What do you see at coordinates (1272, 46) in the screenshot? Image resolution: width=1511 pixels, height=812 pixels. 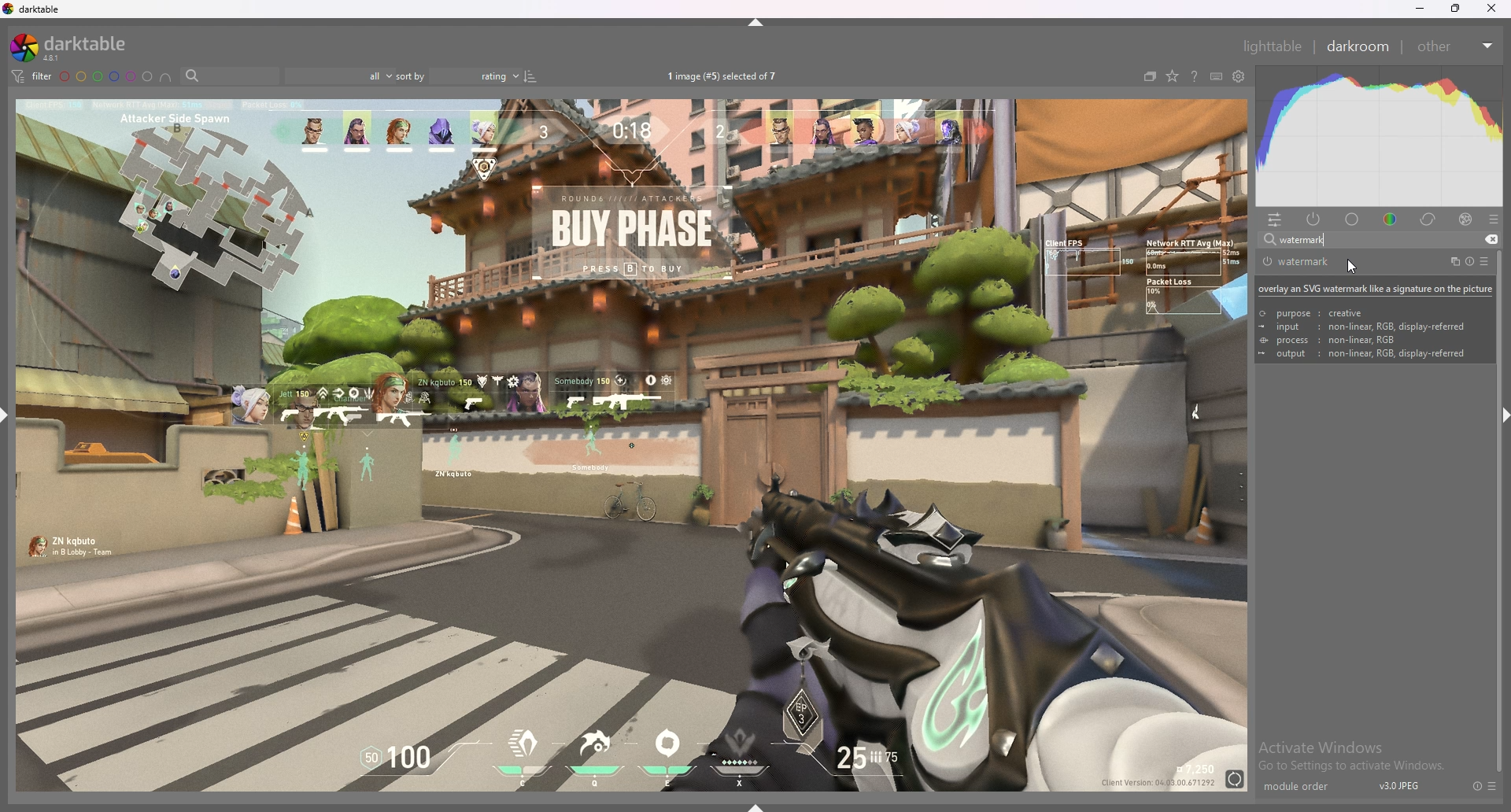 I see `lighttable` at bounding box center [1272, 46].